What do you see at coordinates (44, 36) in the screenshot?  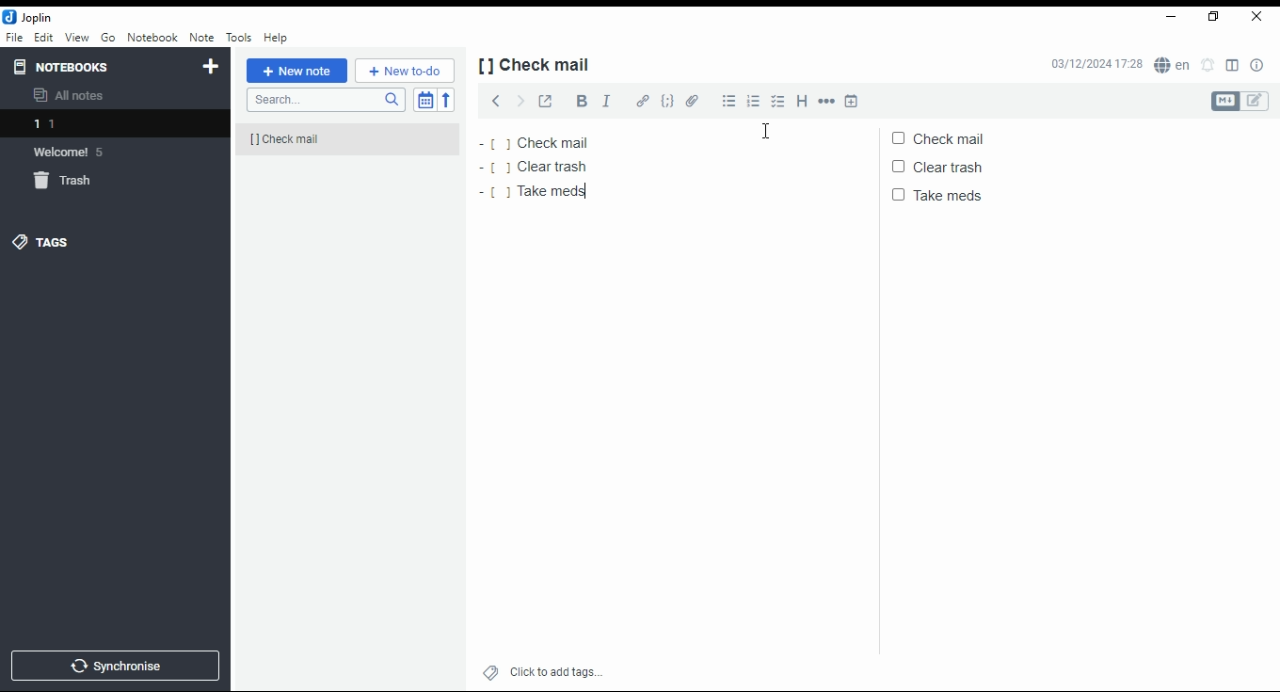 I see `edit` at bounding box center [44, 36].